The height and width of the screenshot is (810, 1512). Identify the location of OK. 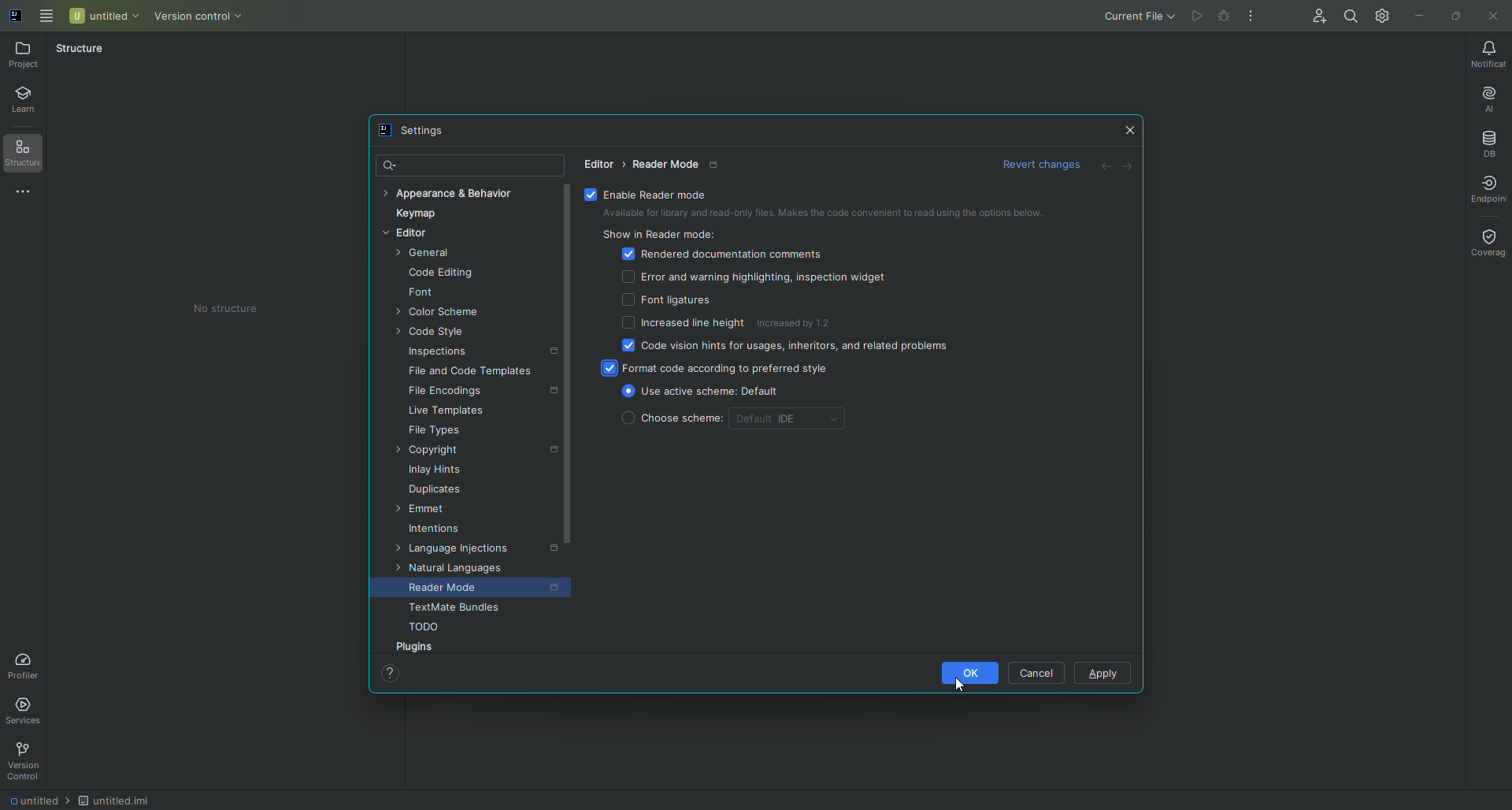
(970, 673).